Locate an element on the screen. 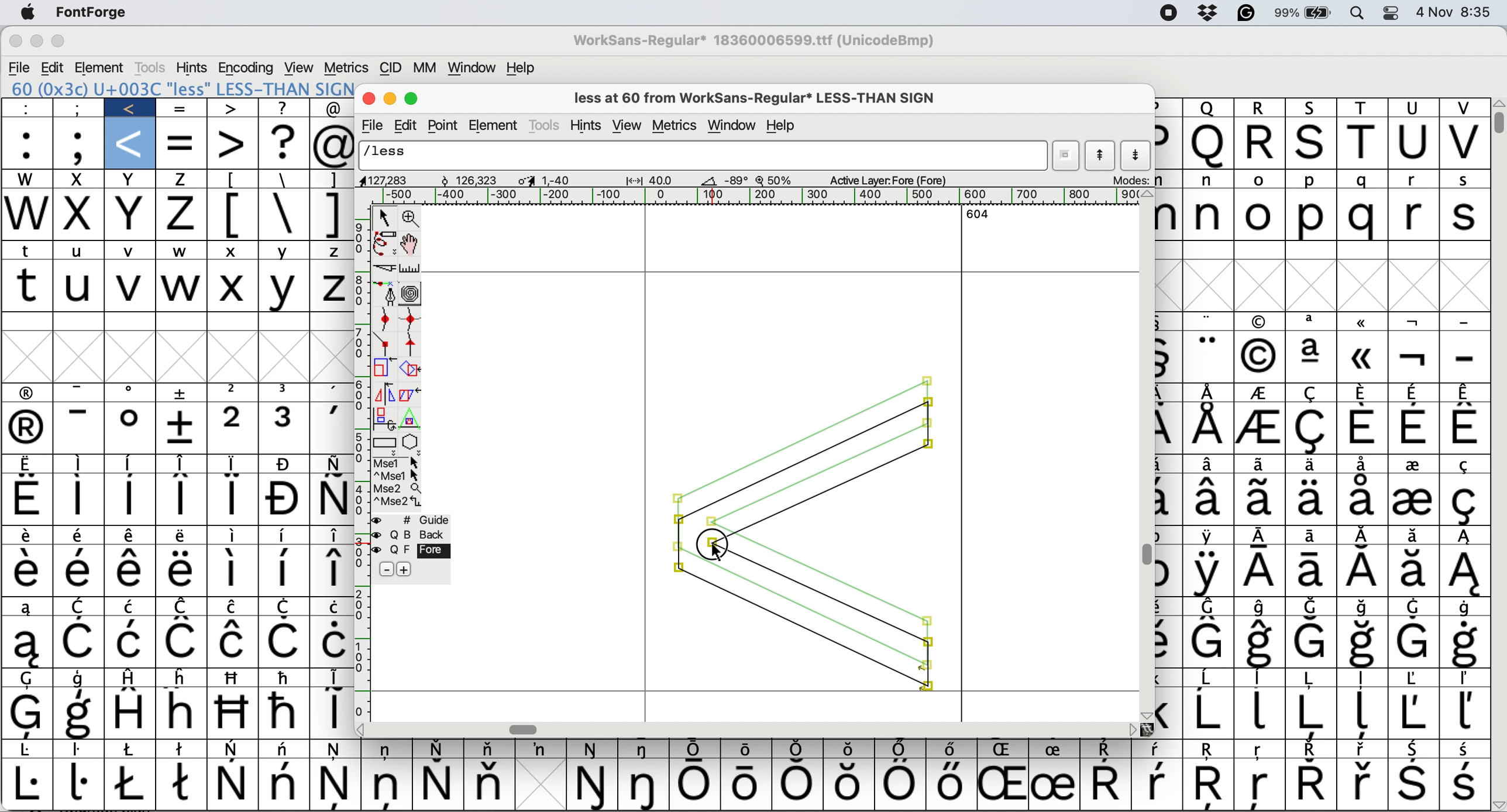 This screenshot has height=812, width=1507. Symbol is located at coordinates (699, 785).